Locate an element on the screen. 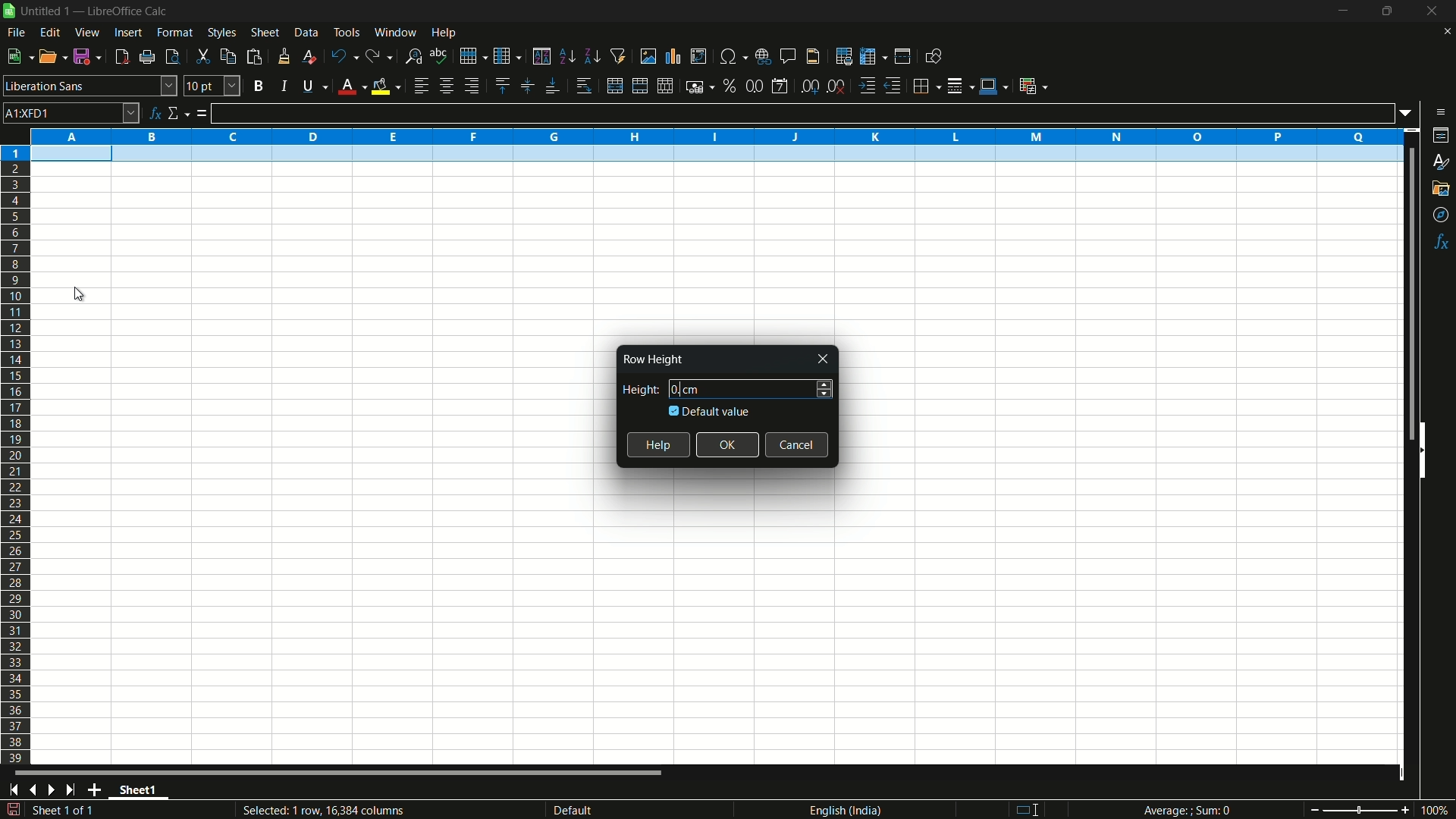 This screenshot has width=1456, height=819. show draw functions is located at coordinates (932, 56).